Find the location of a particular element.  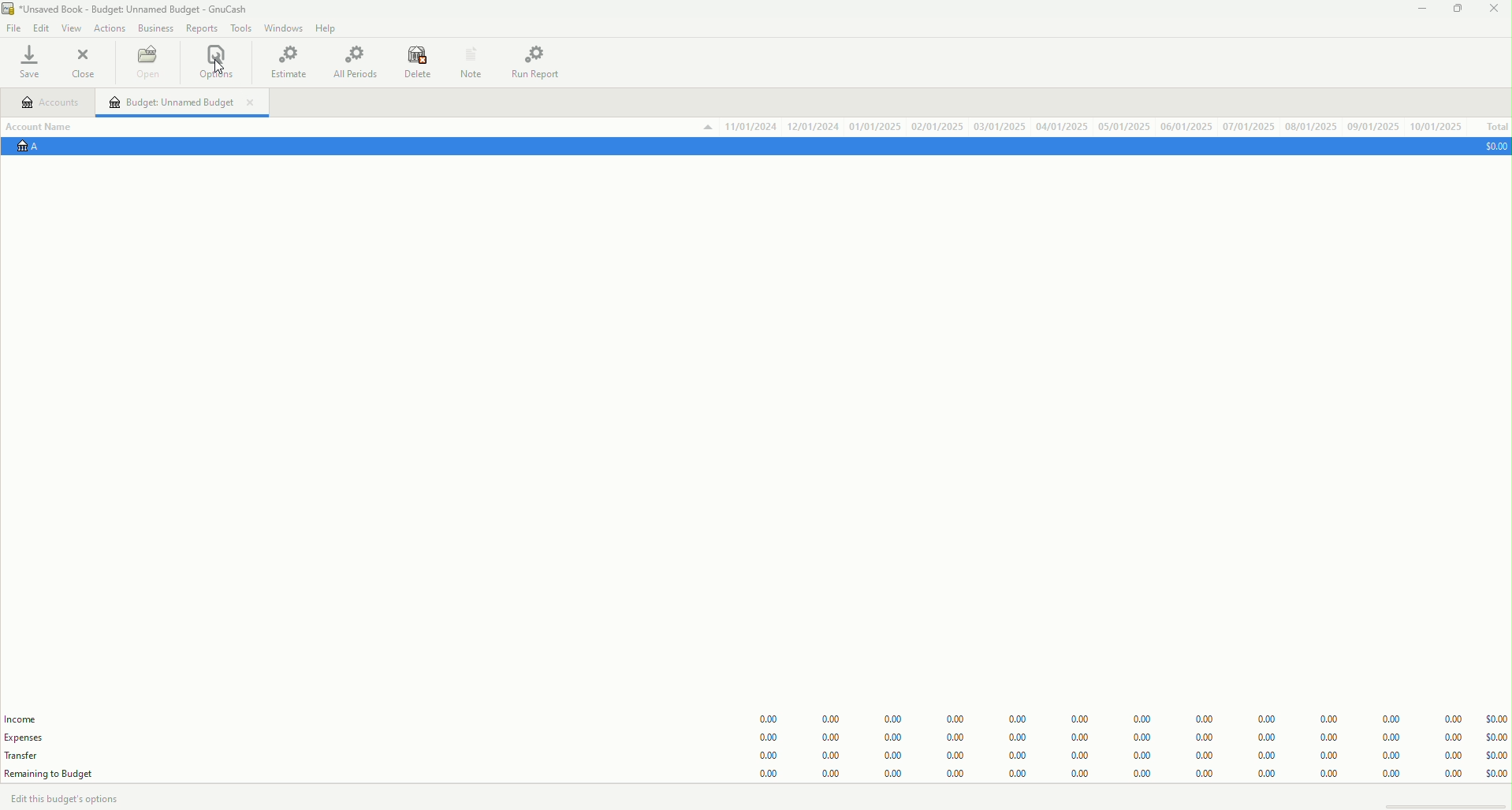

Tools is located at coordinates (237, 28).